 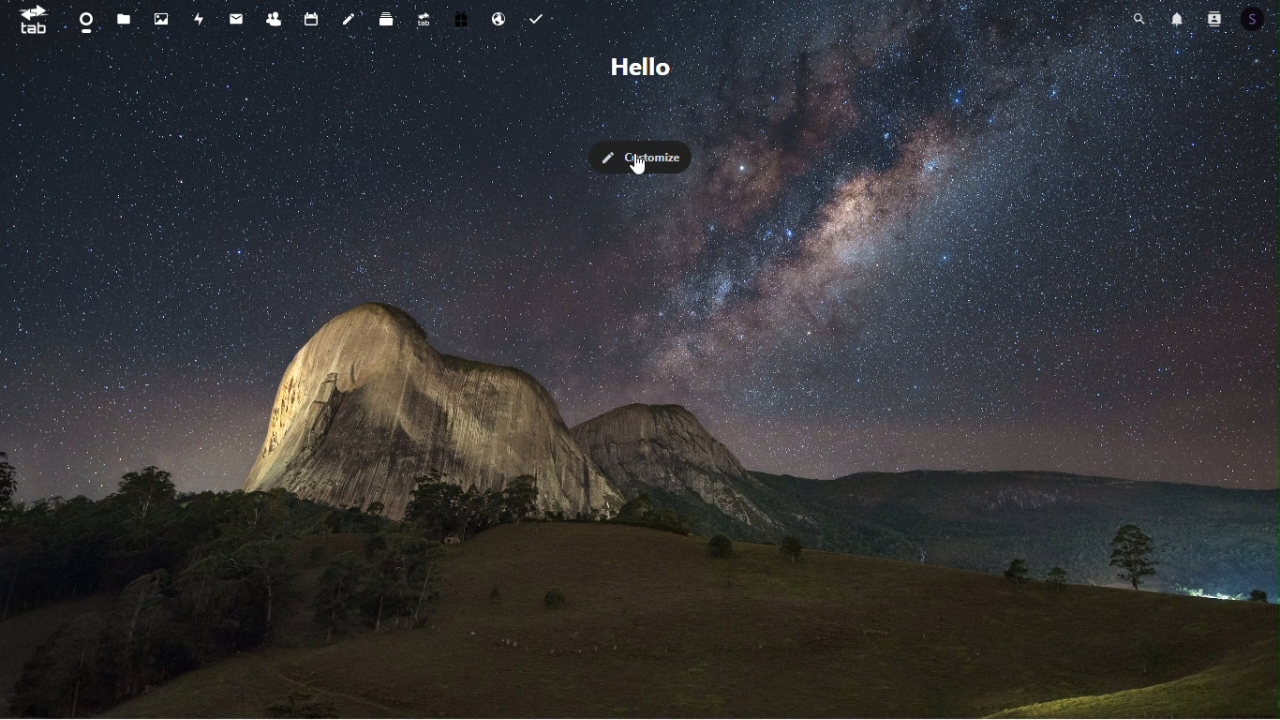 I want to click on deck, so click(x=386, y=19).